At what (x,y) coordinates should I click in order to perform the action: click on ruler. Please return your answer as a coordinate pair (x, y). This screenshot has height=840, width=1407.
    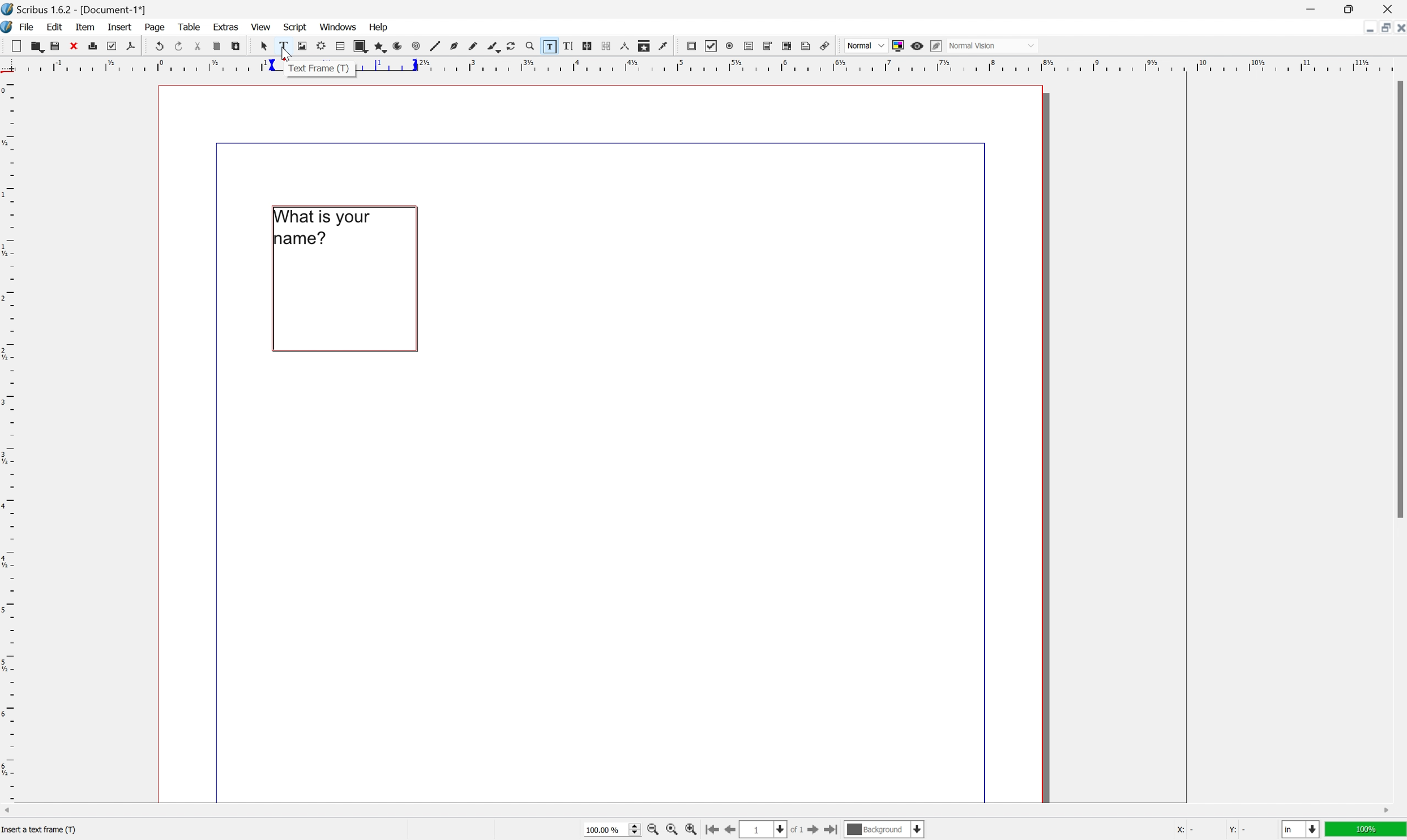
    Looking at the image, I should click on (9, 438).